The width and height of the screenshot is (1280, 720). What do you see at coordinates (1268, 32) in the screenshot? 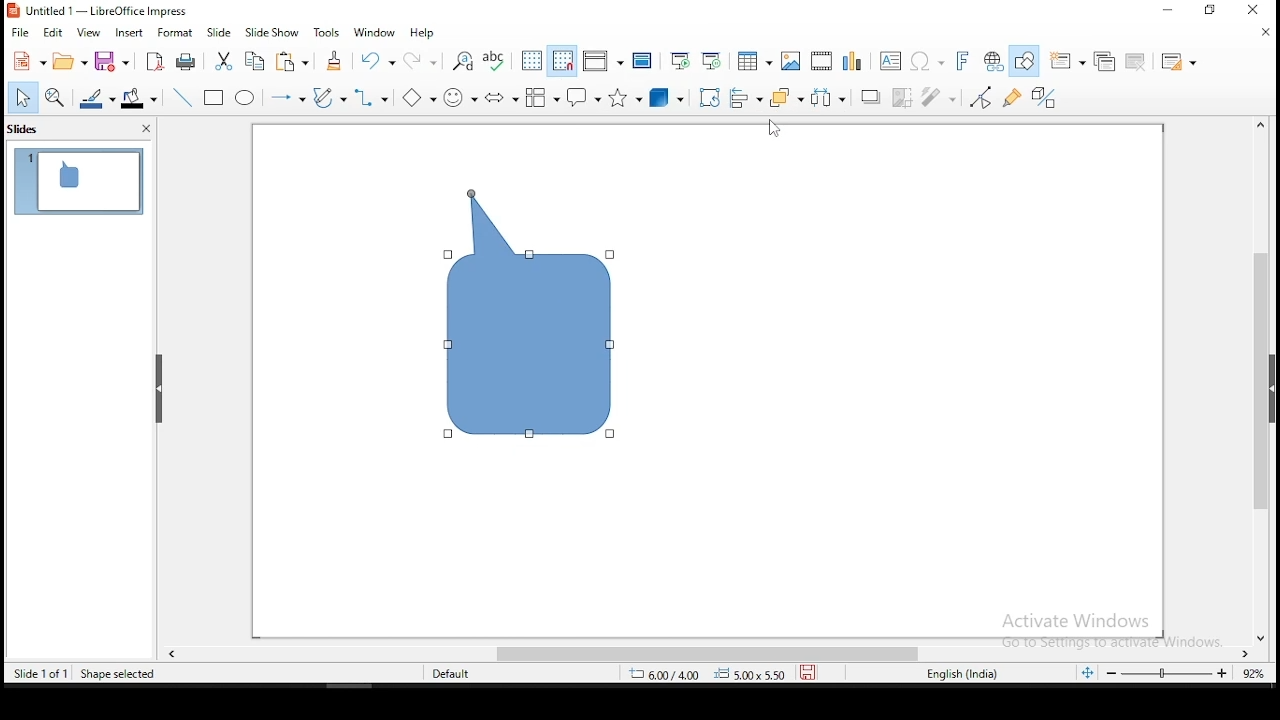
I see `close` at bounding box center [1268, 32].